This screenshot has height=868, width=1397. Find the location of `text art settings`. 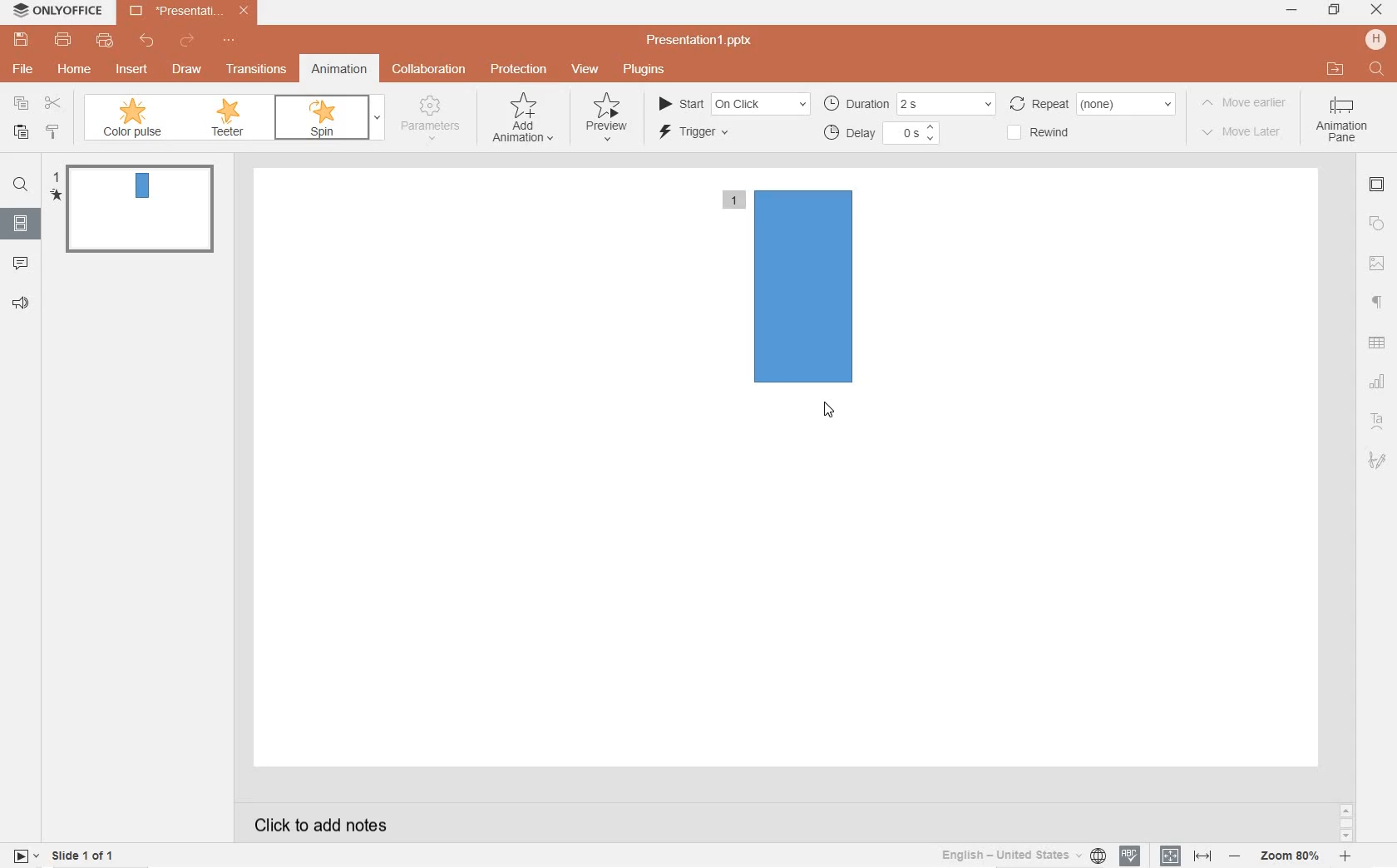

text art settings is located at coordinates (1375, 419).